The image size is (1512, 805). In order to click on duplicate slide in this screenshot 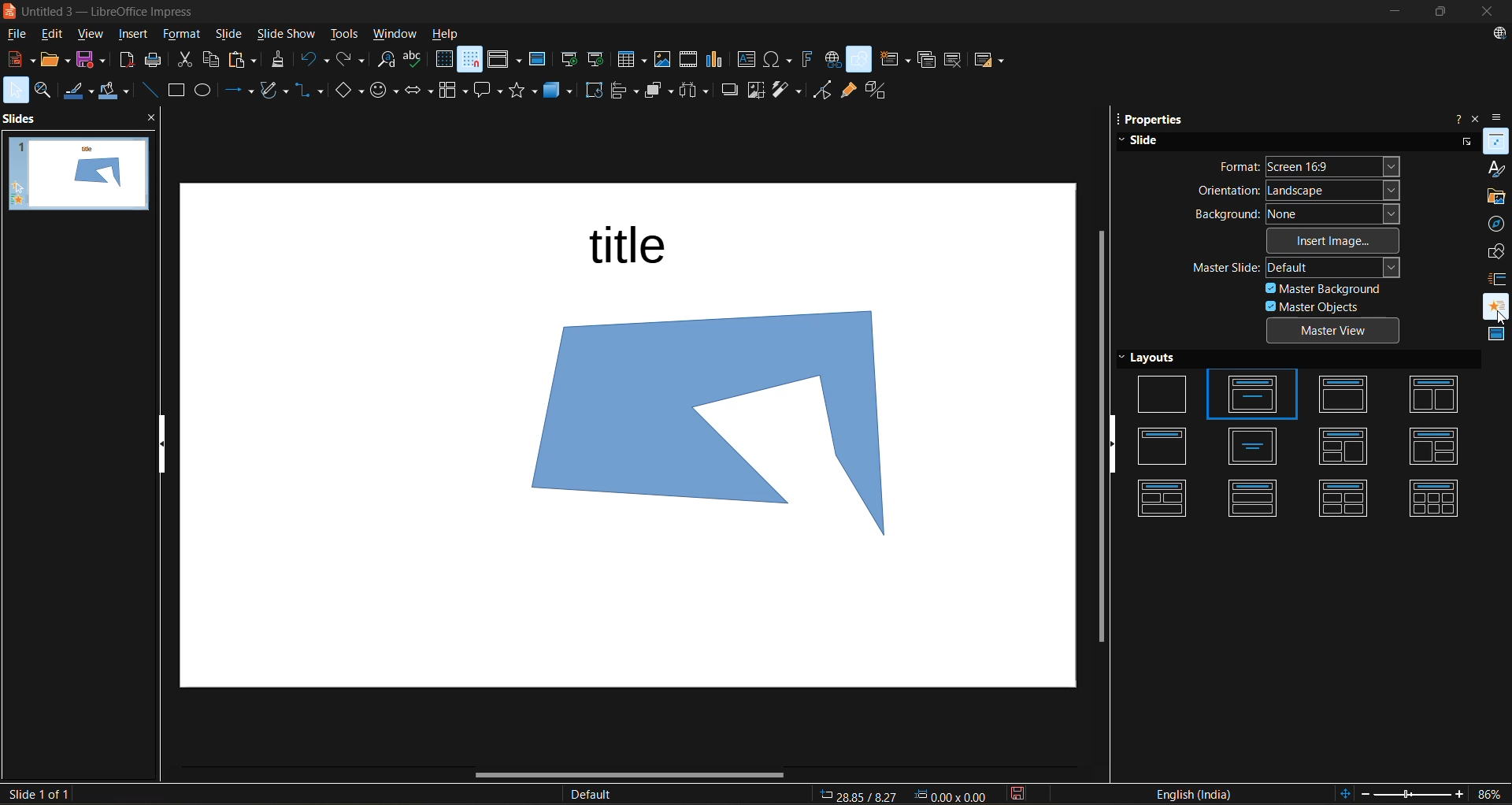, I will do `click(927, 60)`.